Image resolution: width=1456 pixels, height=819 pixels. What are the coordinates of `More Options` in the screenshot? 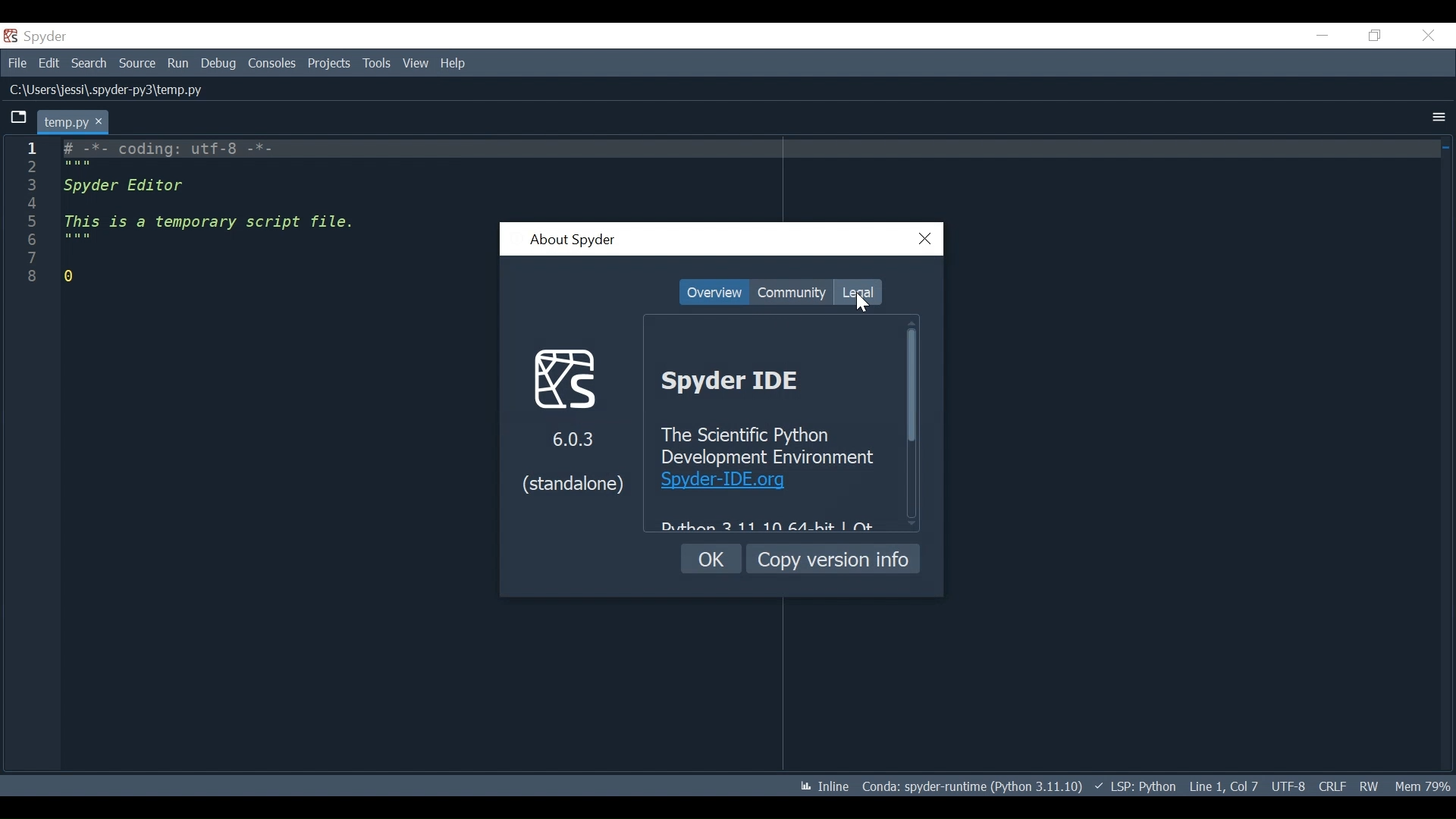 It's located at (1439, 118).